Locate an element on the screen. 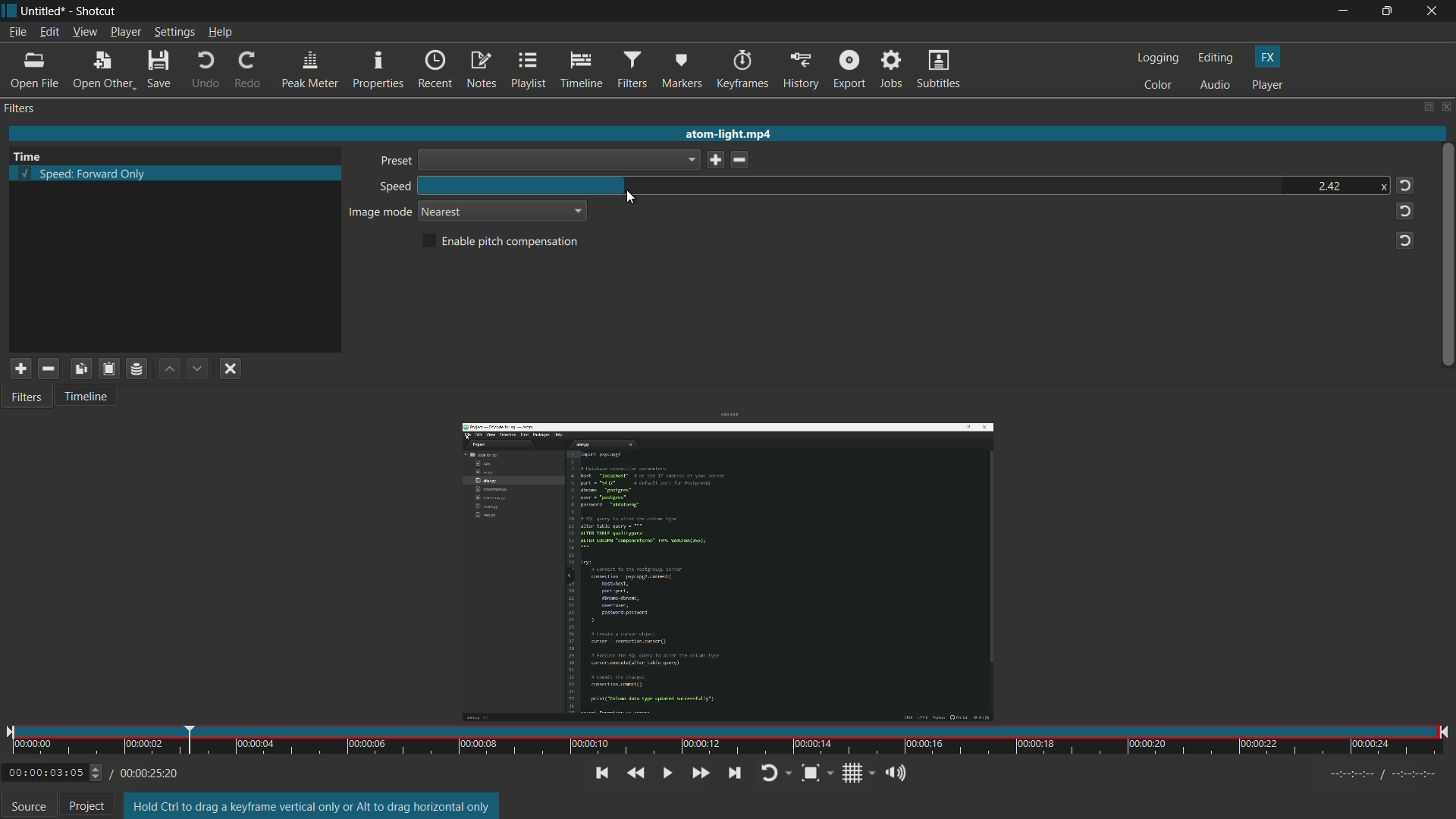 The width and height of the screenshot is (1456, 819). enable pitch compensation is located at coordinates (502, 242).